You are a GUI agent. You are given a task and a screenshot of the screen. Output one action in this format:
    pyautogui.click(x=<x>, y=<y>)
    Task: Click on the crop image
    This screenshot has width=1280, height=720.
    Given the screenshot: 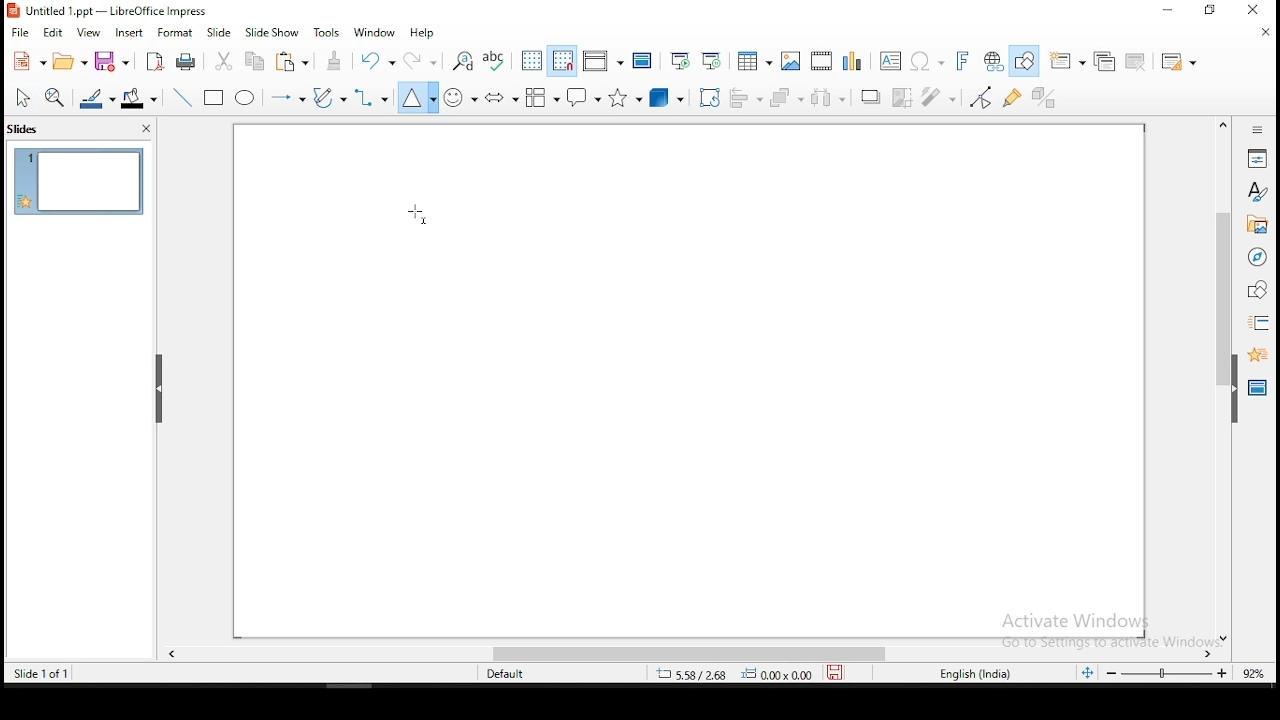 What is the action you would take?
    pyautogui.click(x=904, y=96)
    